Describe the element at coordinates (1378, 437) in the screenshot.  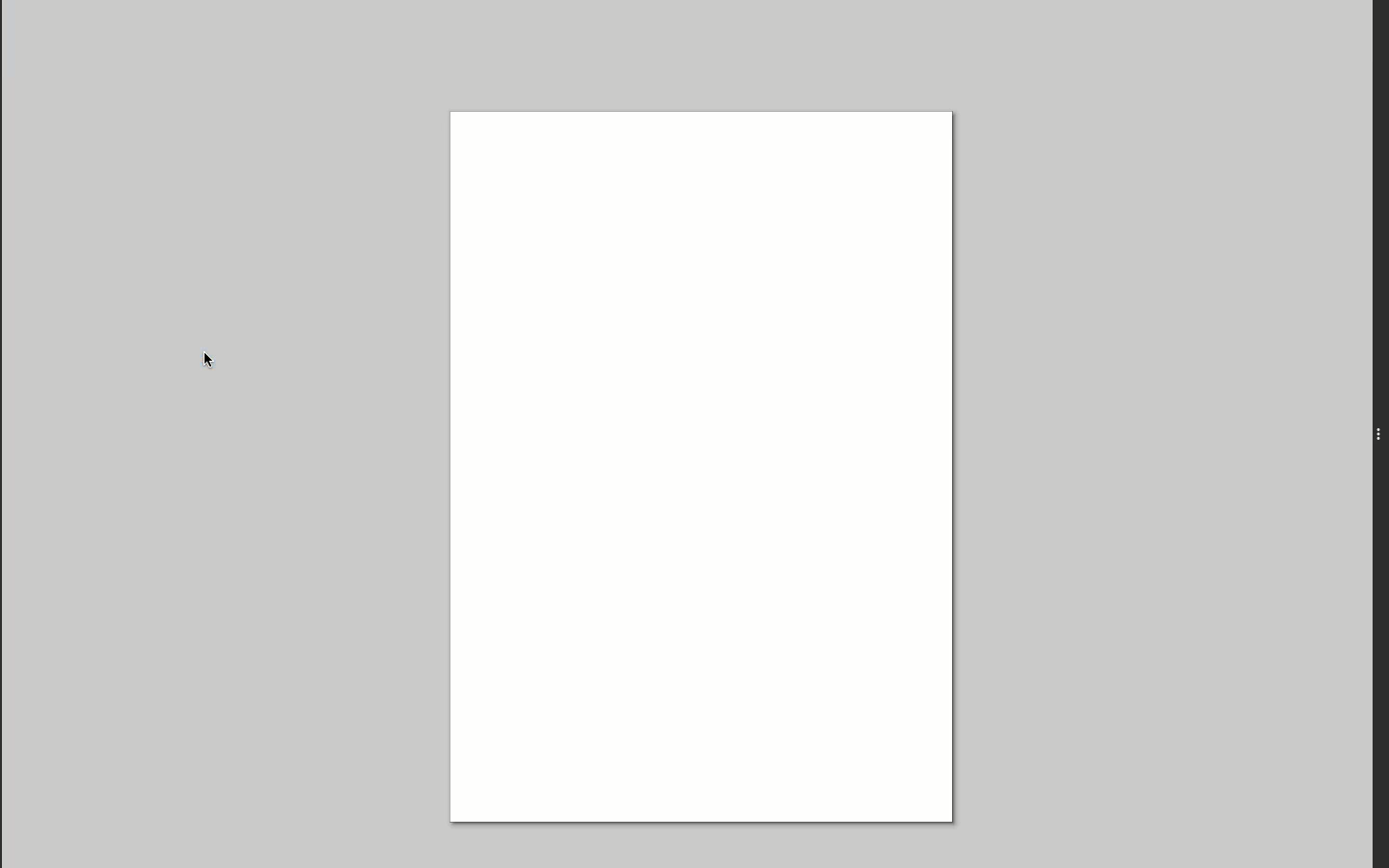
I see `Extension` at that location.